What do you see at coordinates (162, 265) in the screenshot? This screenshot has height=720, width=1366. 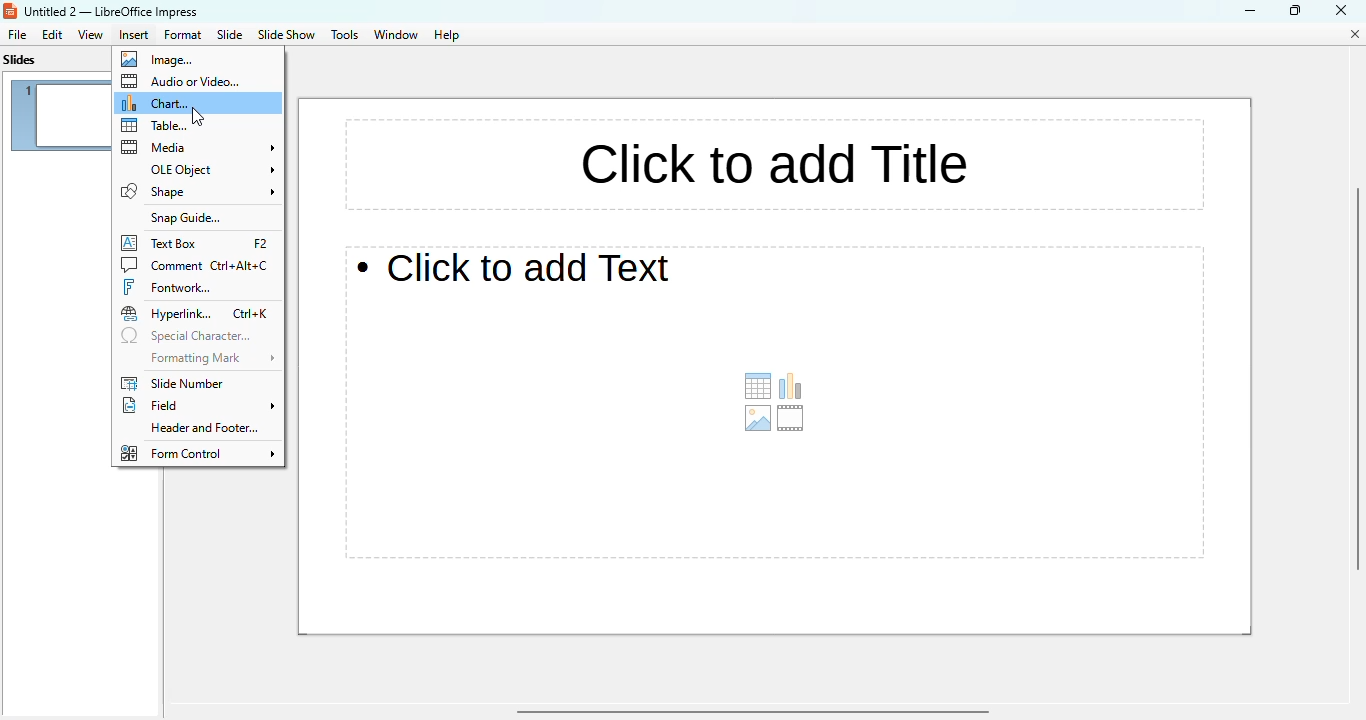 I see `comment` at bounding box center [162, 265].